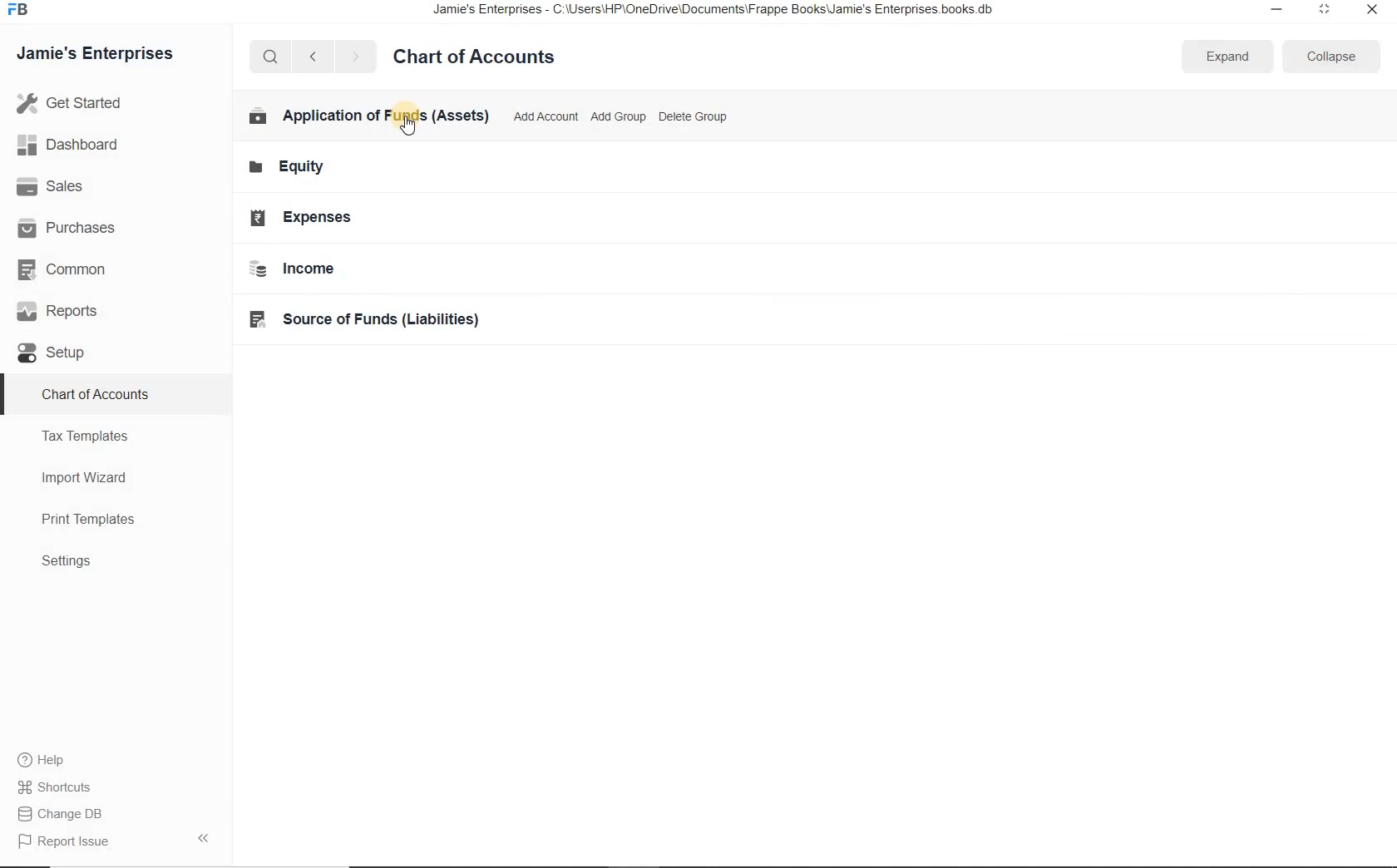 This screenshot has width=1397, height=868. What do you see at coordinates (1373, 11) in the screenshot?
I see `close` at bounding box center [1373, 11].